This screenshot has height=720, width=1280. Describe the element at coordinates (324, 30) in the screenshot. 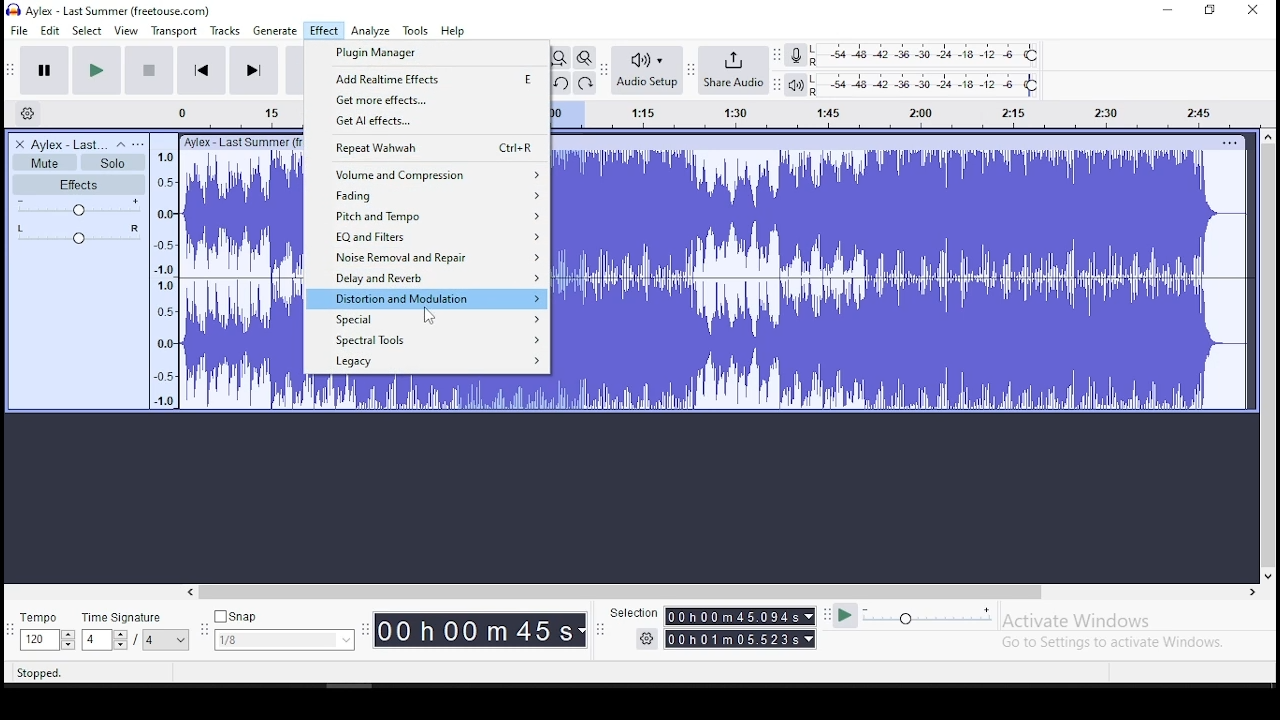

I see `effect` at that location.